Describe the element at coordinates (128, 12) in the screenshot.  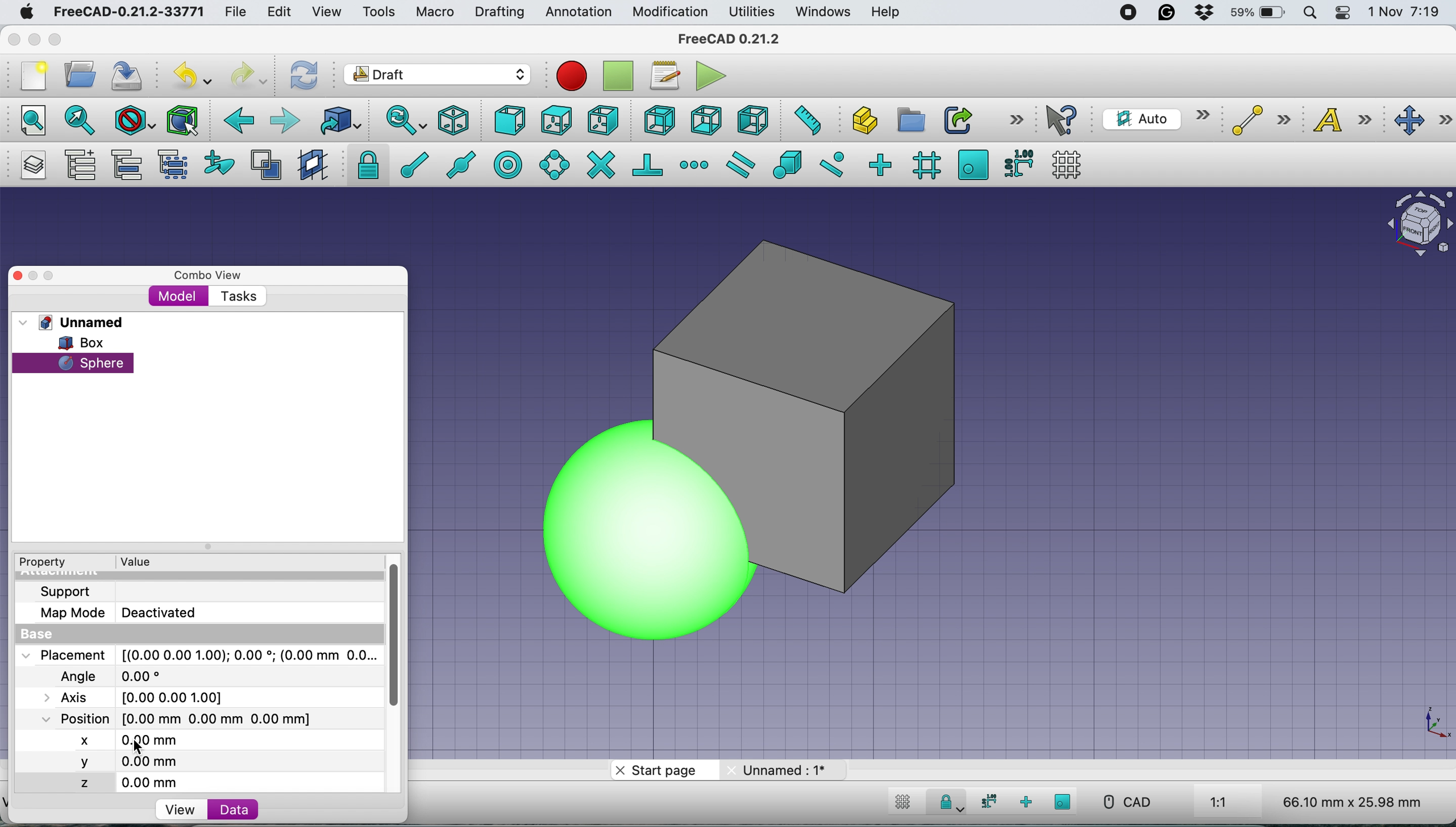
I see `freecad` at that location.